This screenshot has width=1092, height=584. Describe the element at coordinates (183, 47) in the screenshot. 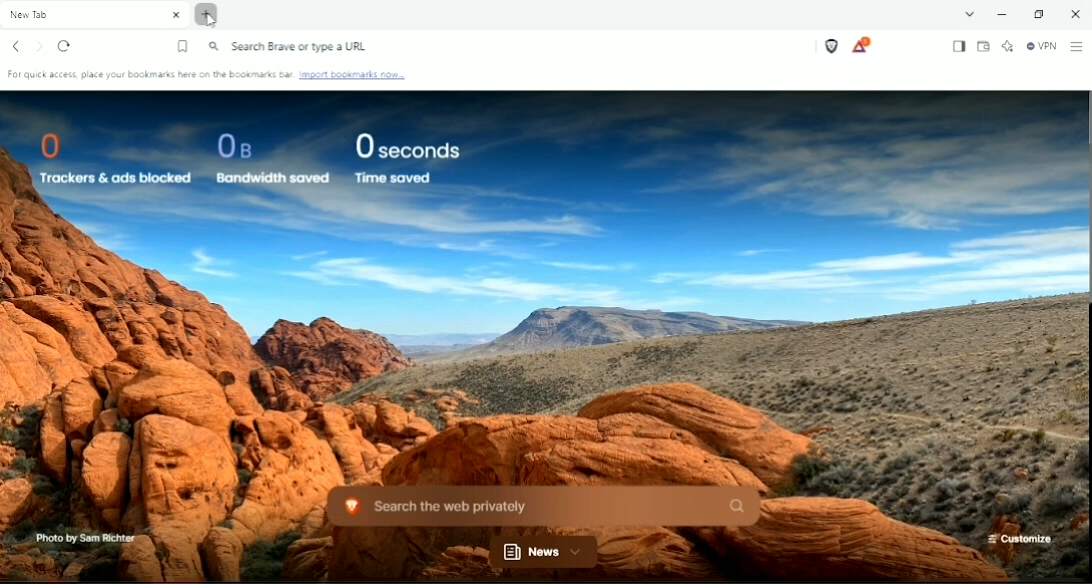

I see `Bookmark this tab` at that location.